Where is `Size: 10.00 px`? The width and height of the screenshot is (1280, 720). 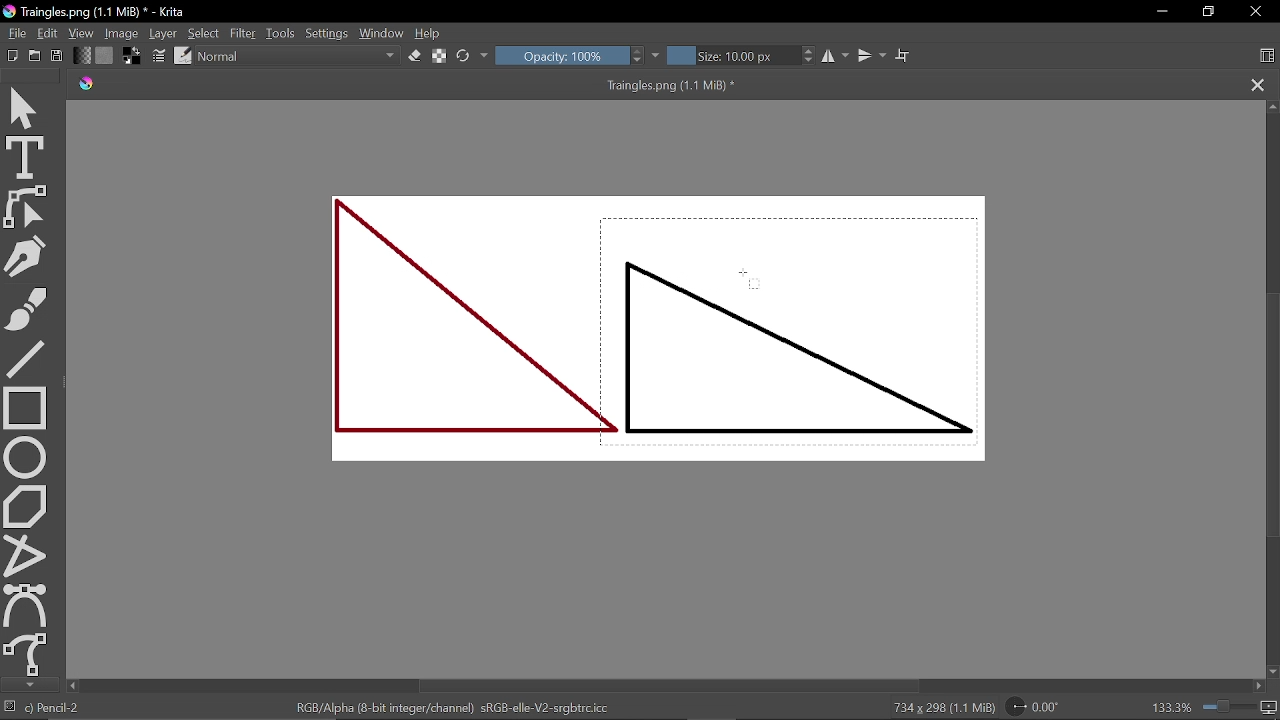
Size: 10.00 px is located at coordinates (743, 55).